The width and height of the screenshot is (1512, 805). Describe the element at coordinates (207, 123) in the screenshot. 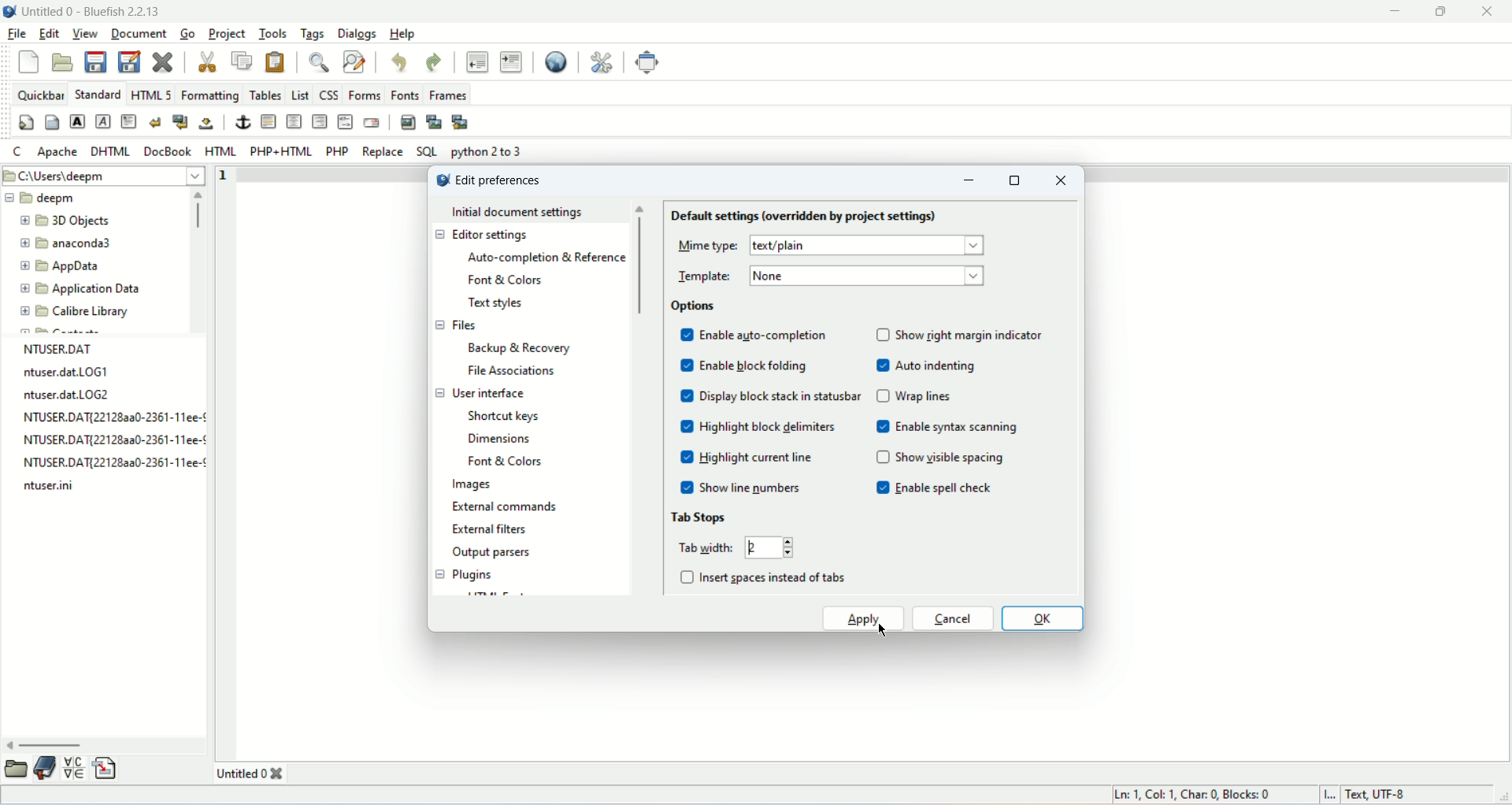

I see `non breaking space` at that location.